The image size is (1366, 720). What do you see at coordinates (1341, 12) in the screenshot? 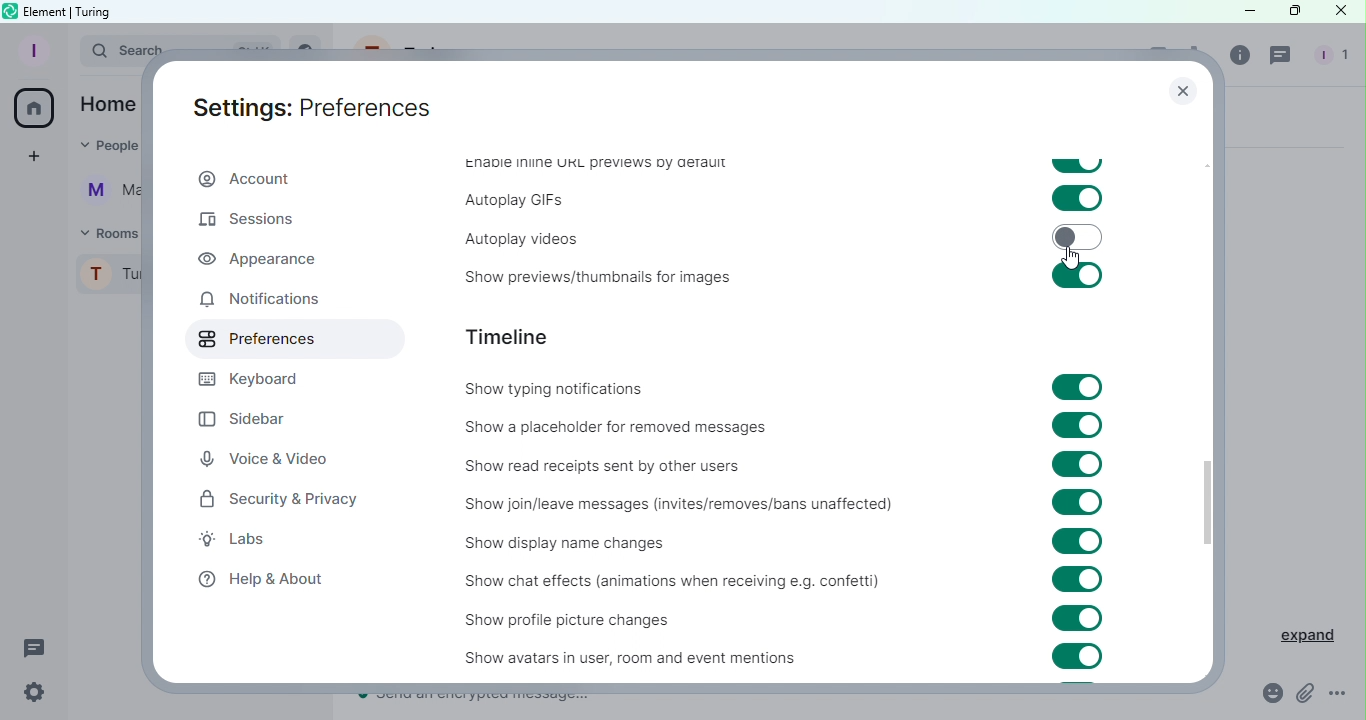
I see `Cursor` at bounding box center [1341, 12].